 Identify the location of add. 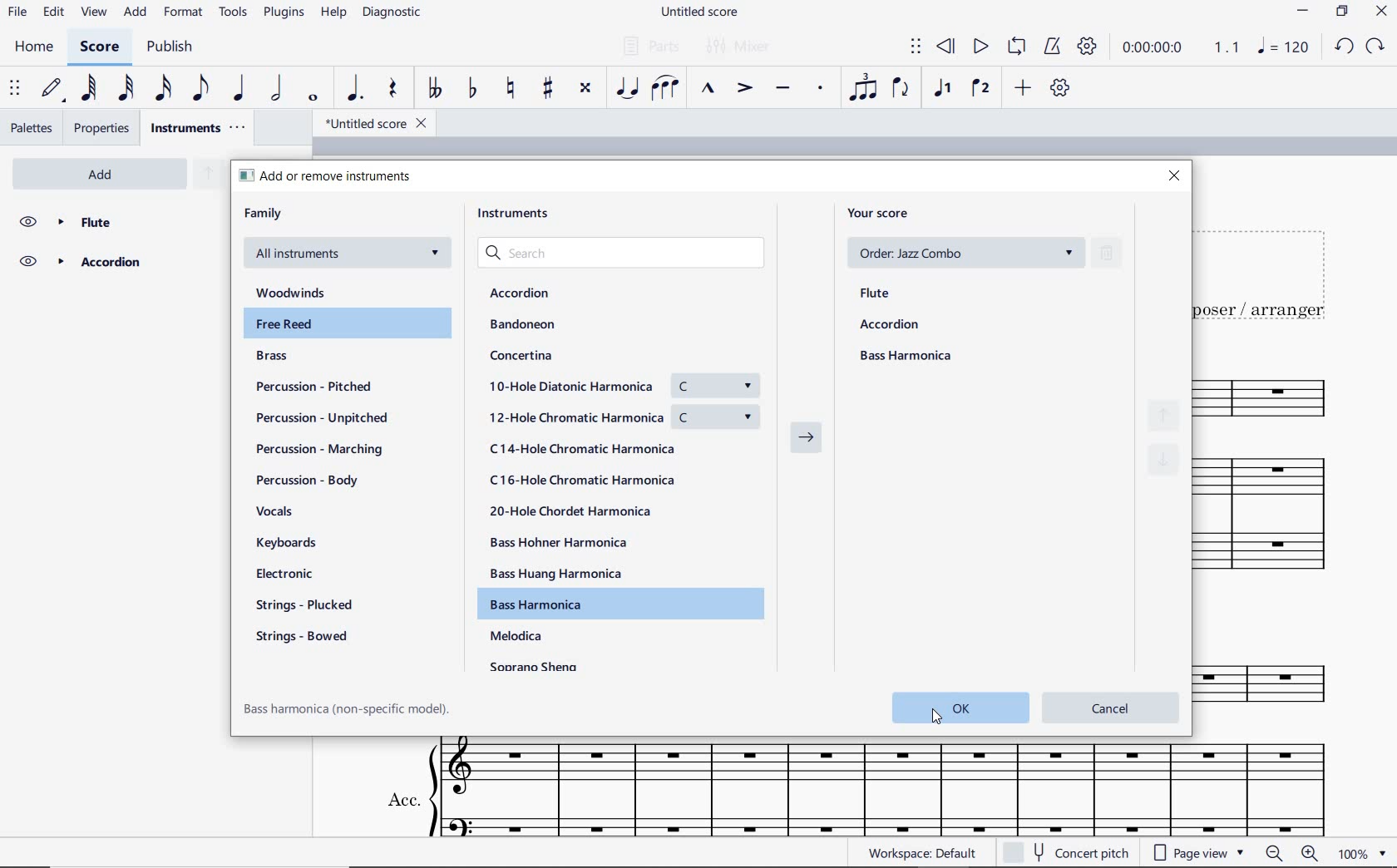
(1021, 89).